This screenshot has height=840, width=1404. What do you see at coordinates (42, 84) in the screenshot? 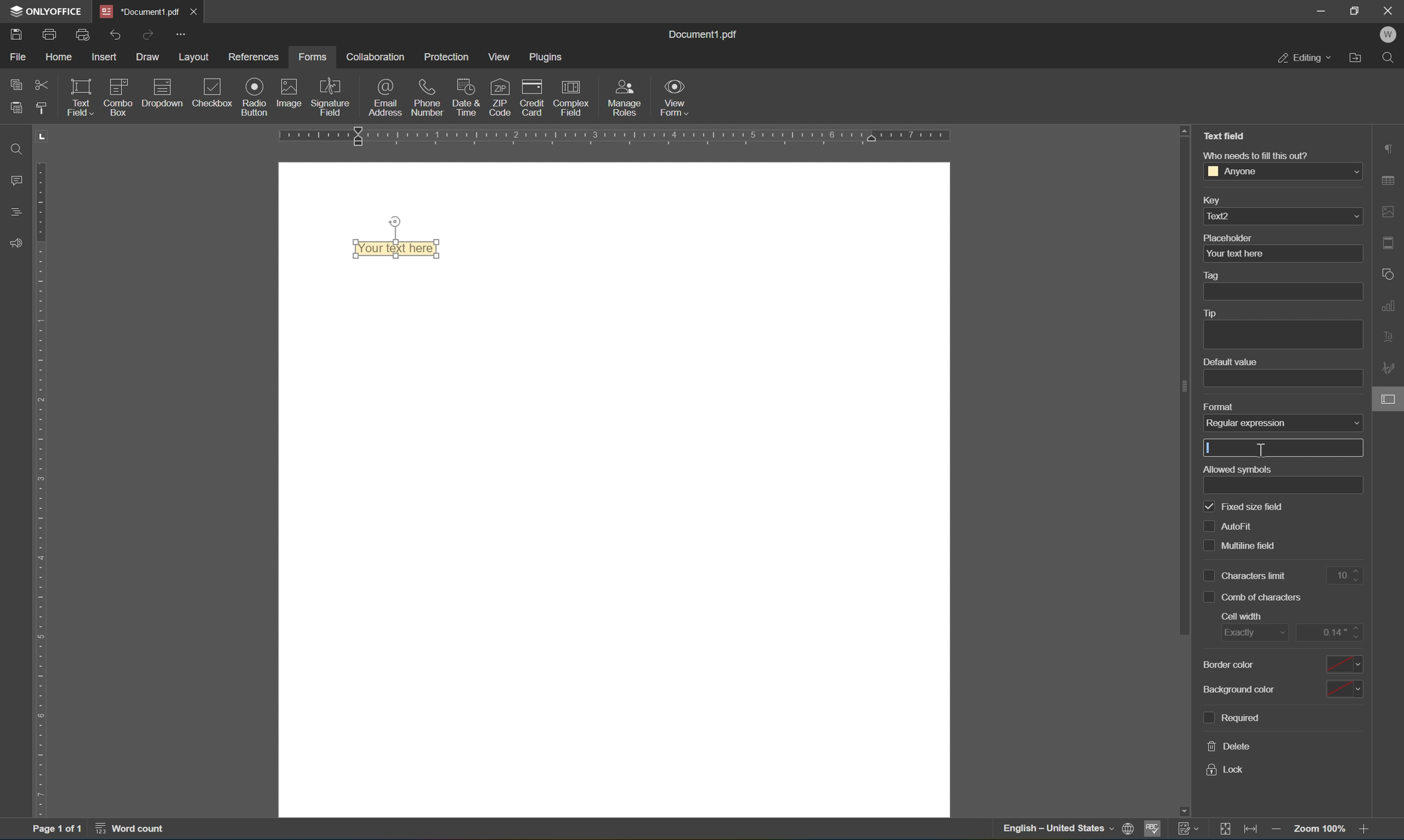
I see `cut` at bounding box center [42, 84].